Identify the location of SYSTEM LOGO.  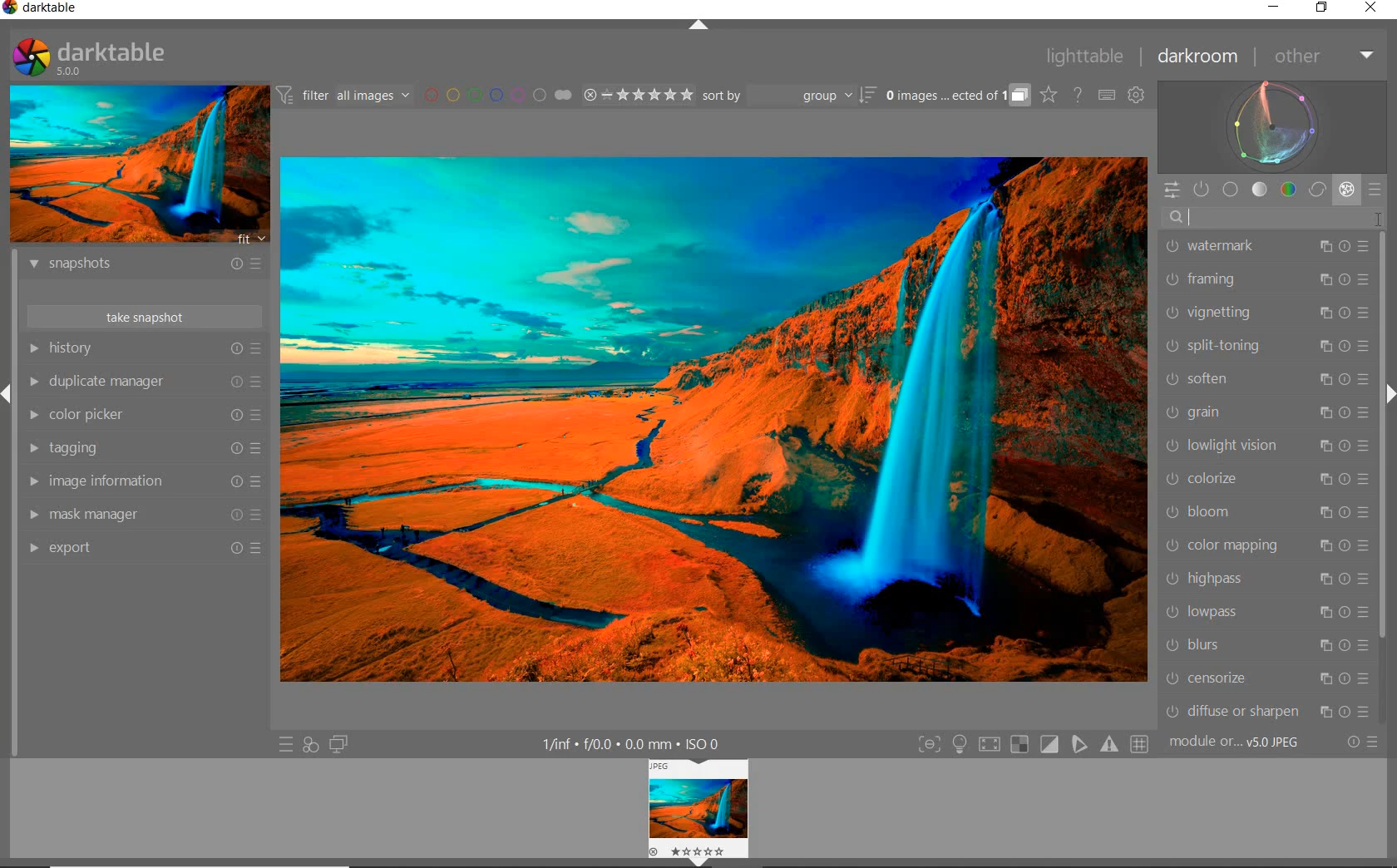
(90, 57).